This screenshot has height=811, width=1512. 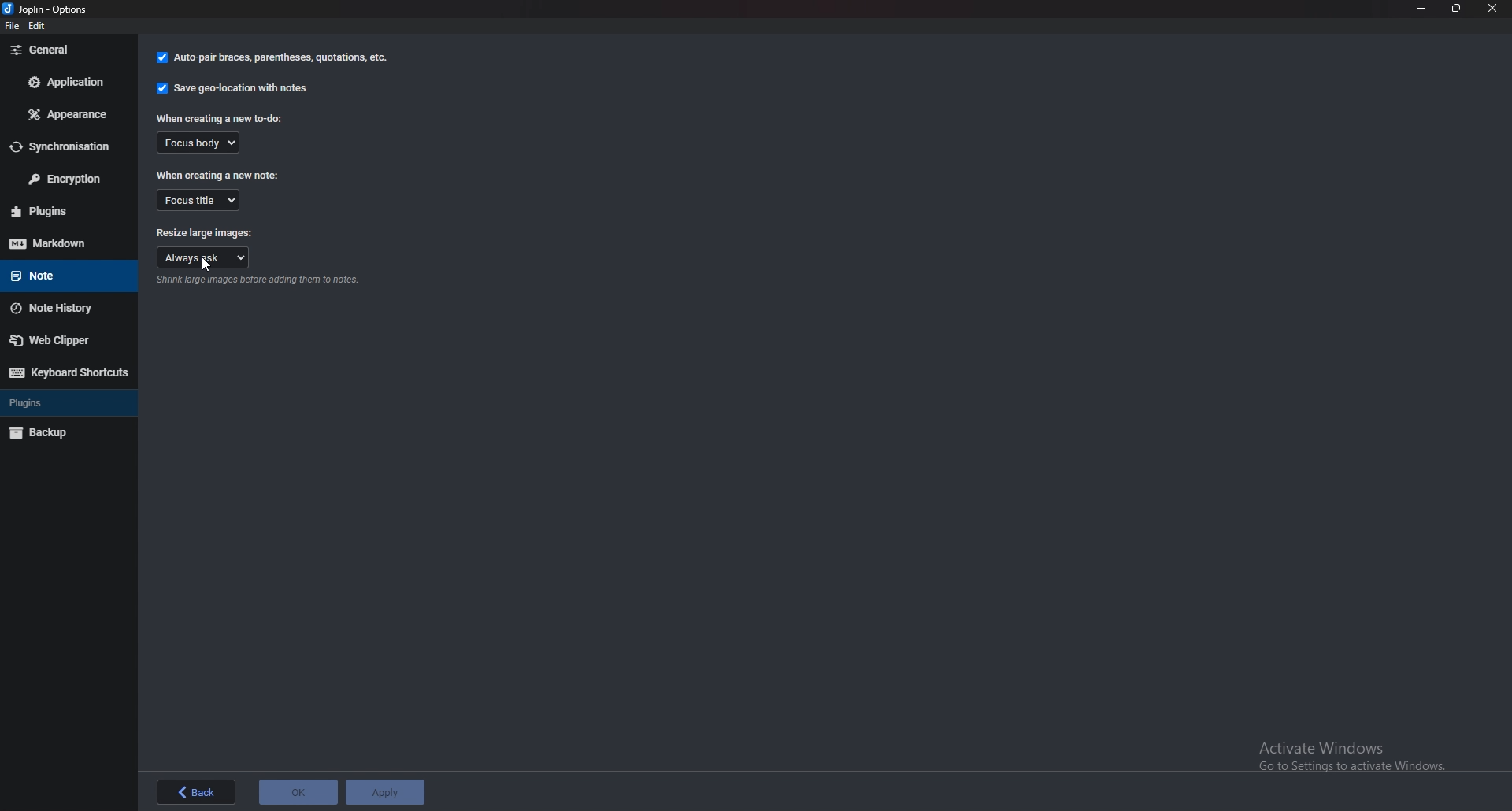 What do you see at coordinates (220, 119) in the screenshot?
I see `When creating a new to do` at bounding box center [220, 119].